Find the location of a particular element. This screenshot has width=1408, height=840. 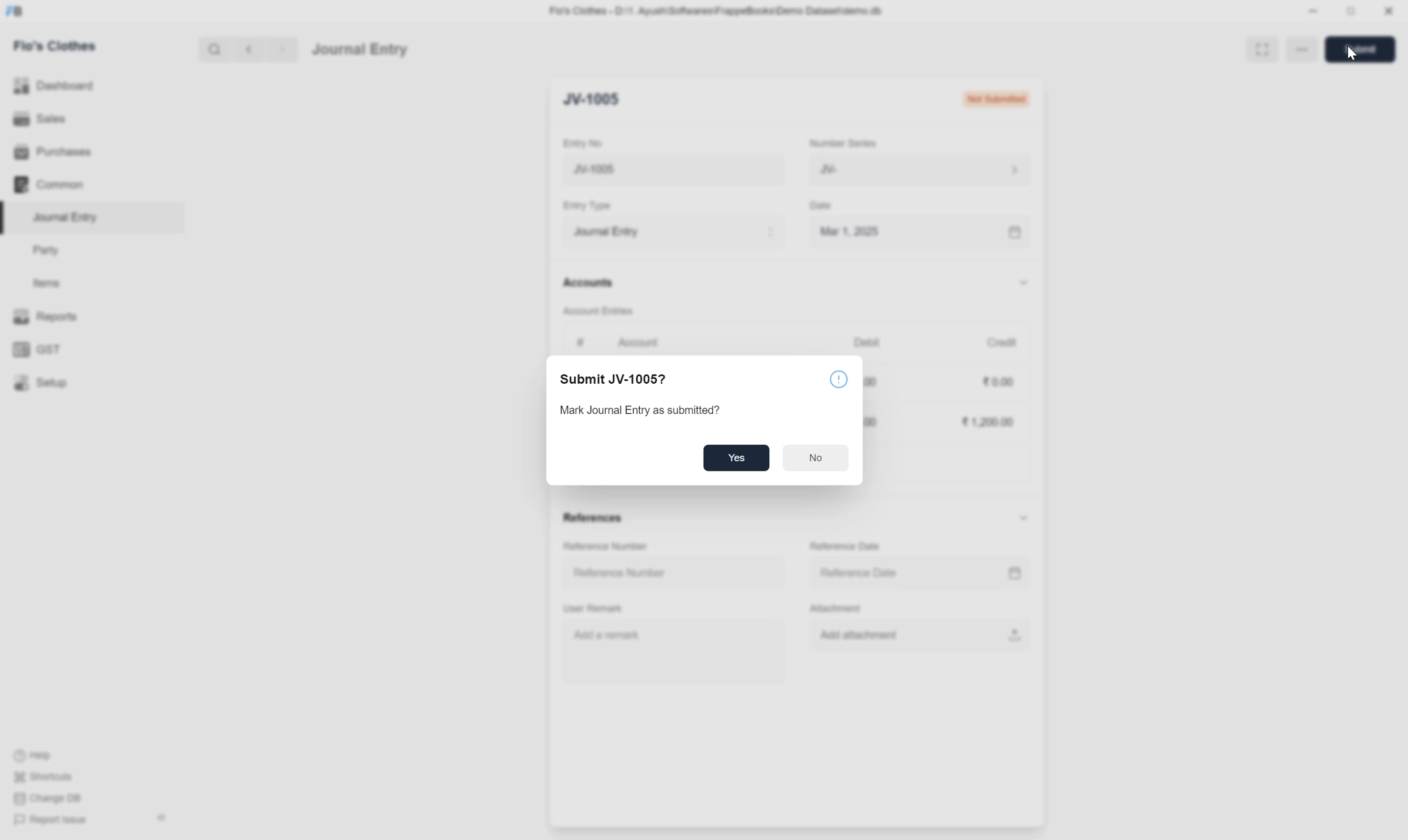

Add a remark is located at coordinates (609, 634).